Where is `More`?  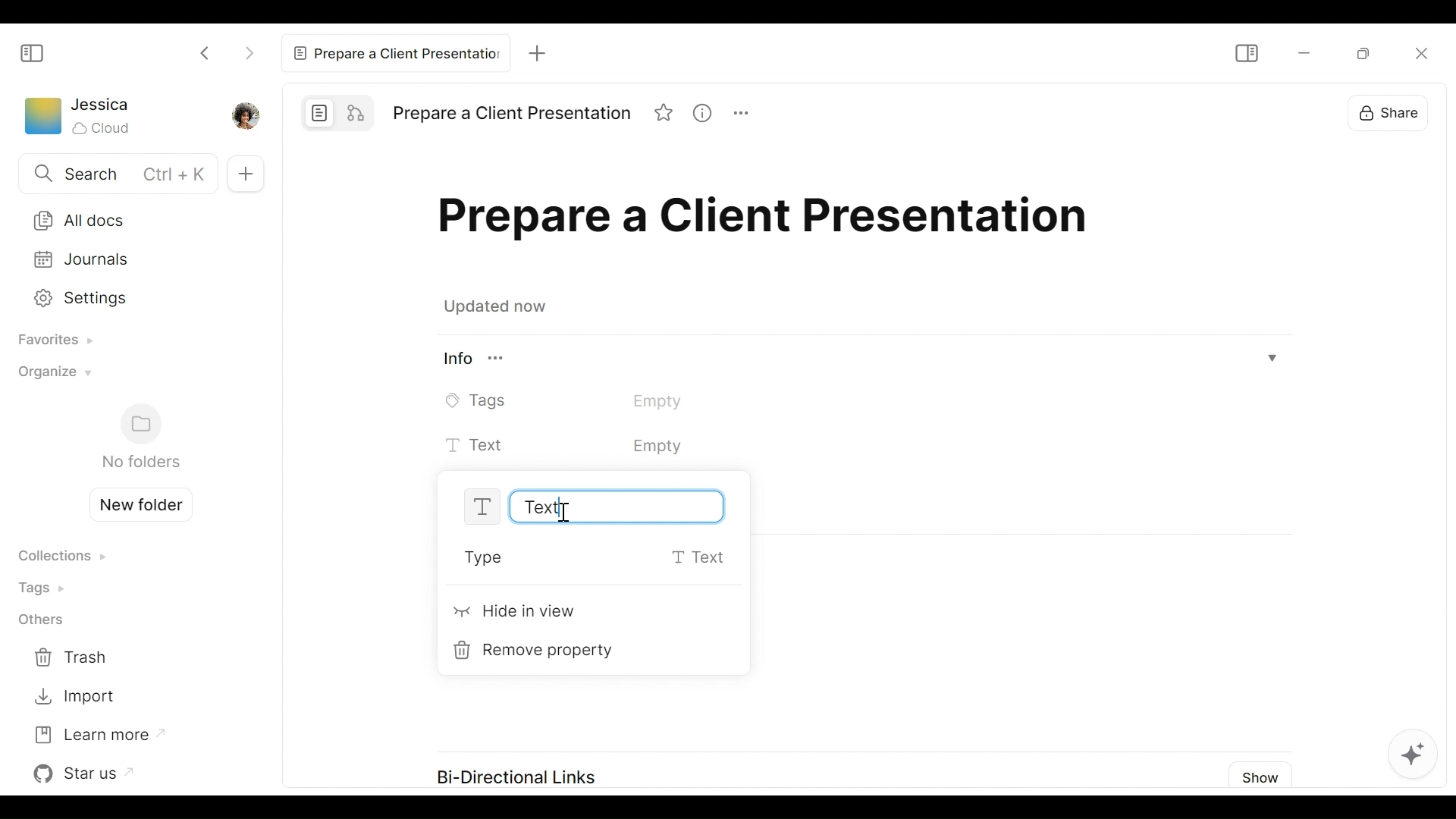 More is located at coordinates (748, 115).